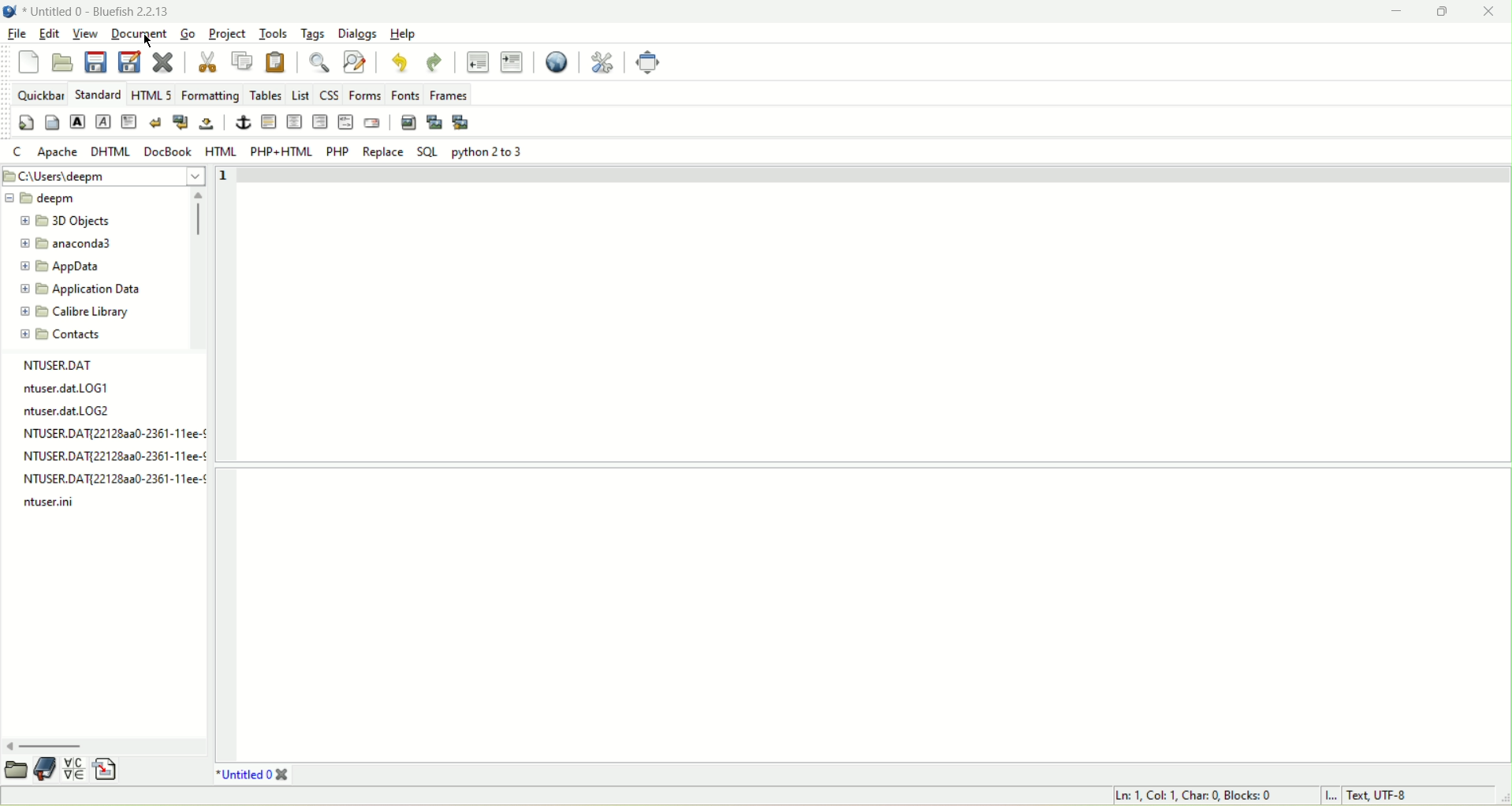 This screenshot has width=1512, height=806. Describe the element at coordinates (244, 122) in the screenshot. I see `anchor` at that location.